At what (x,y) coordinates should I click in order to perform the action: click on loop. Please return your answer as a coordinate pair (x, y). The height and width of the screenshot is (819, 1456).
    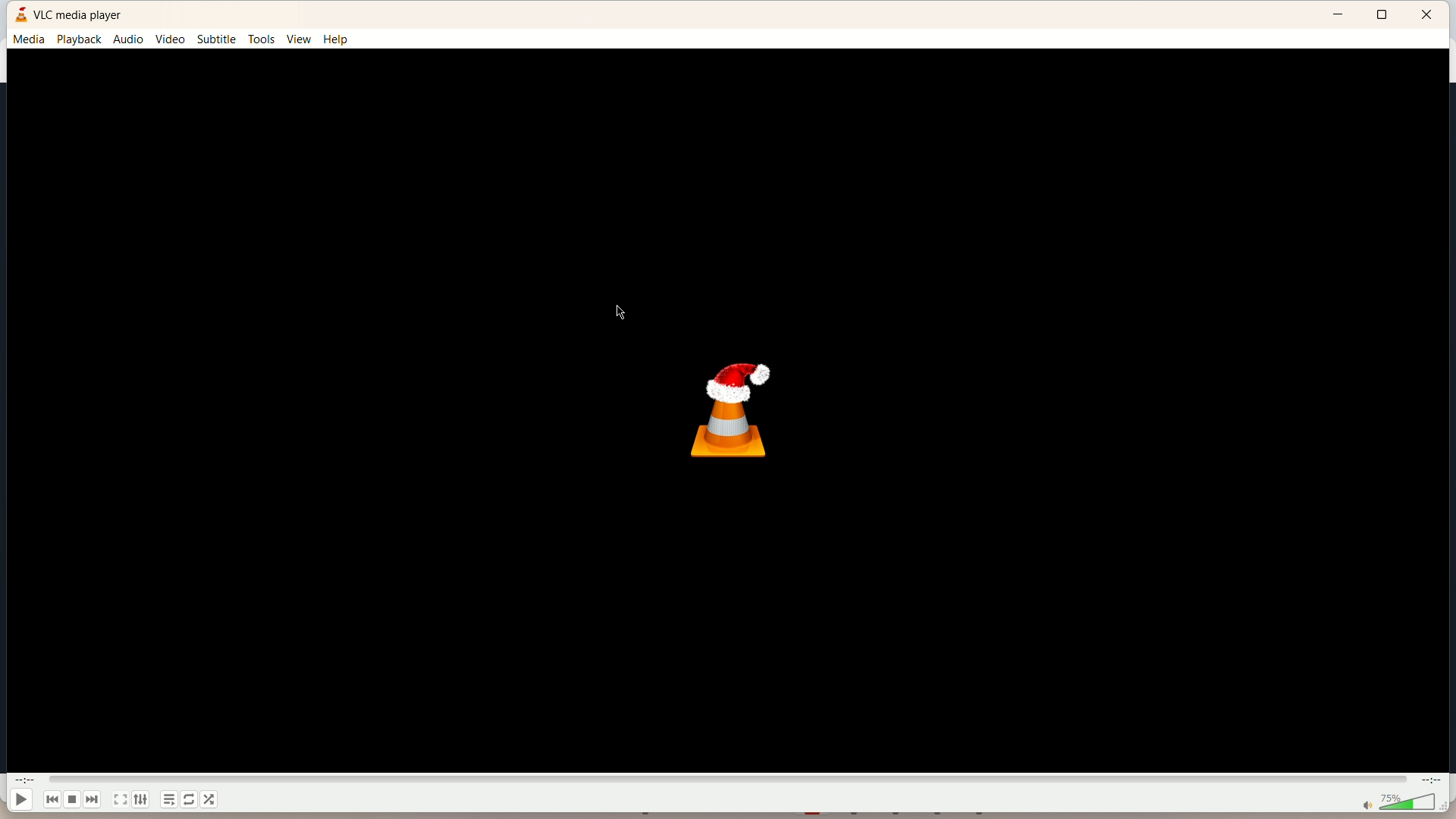
    Looking at the image, I should click on (188, 801).